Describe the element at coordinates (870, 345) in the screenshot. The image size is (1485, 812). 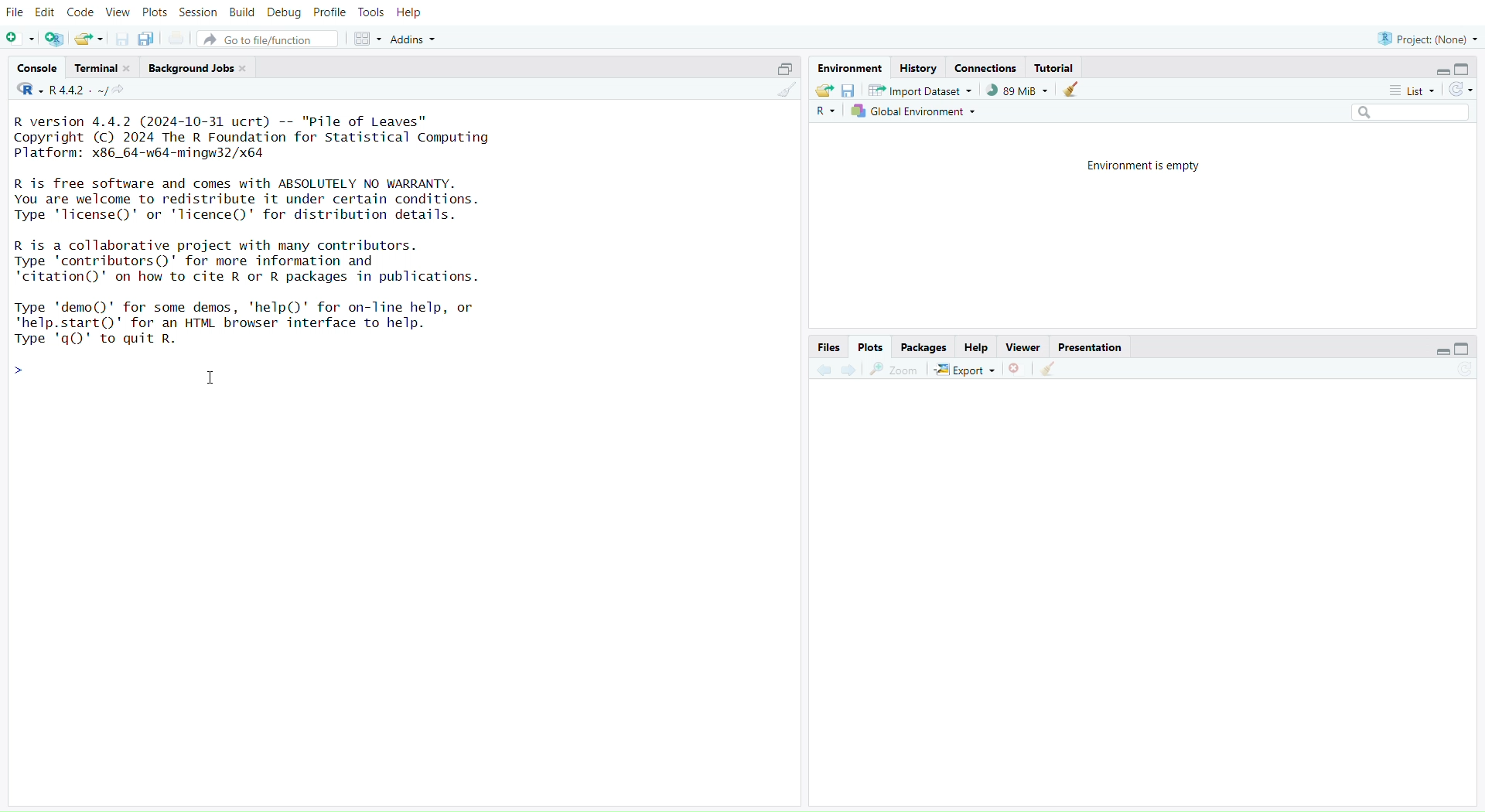
I see `Plots` at that location.